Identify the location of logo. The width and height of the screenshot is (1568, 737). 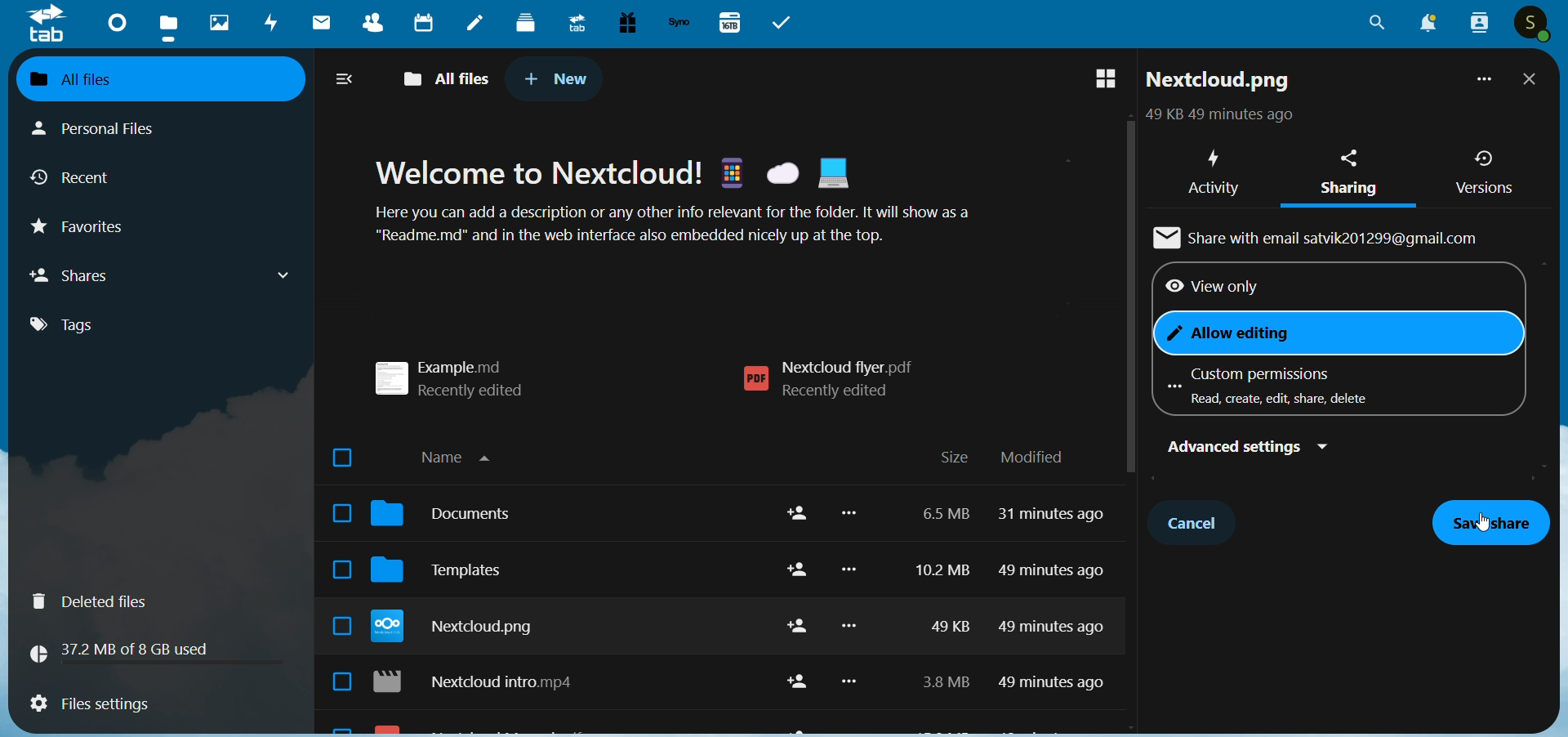
(47, 25).